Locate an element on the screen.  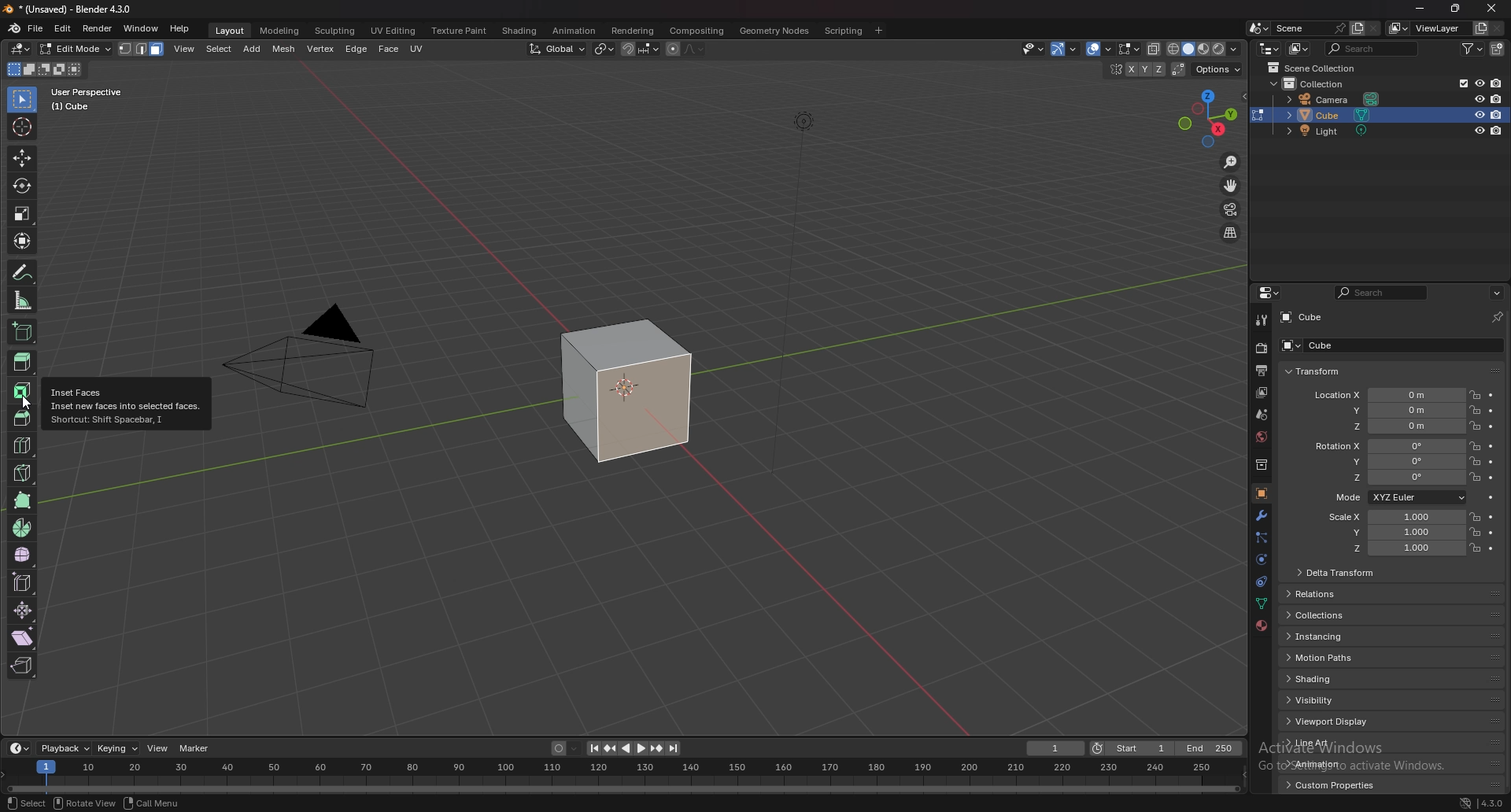
scale z is located at coordinates (1395, 548).